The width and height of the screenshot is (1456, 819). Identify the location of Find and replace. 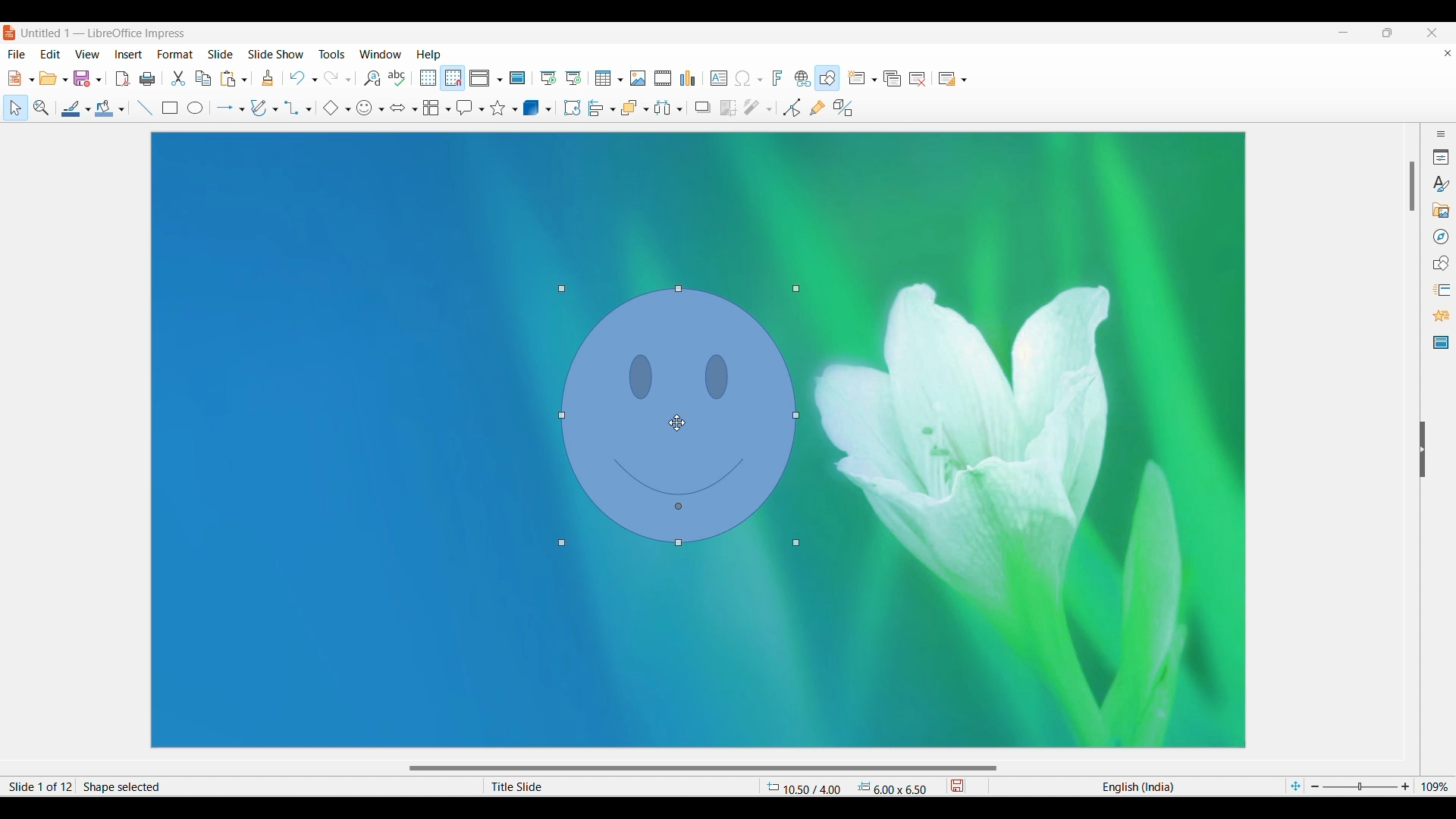
(372, 78).